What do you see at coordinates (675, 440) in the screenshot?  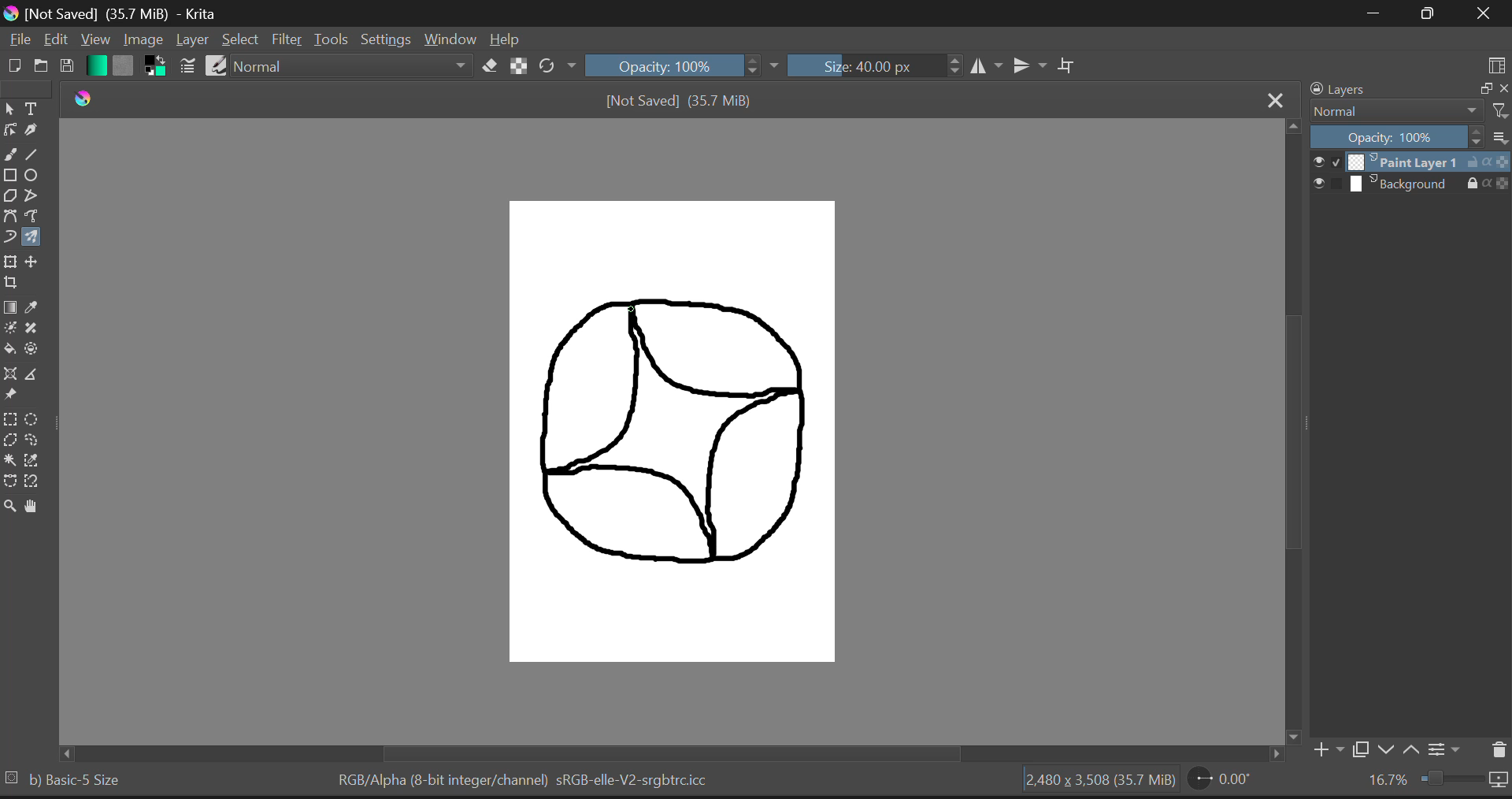 I see `Mandala Design` at bounding box center [675, 440].